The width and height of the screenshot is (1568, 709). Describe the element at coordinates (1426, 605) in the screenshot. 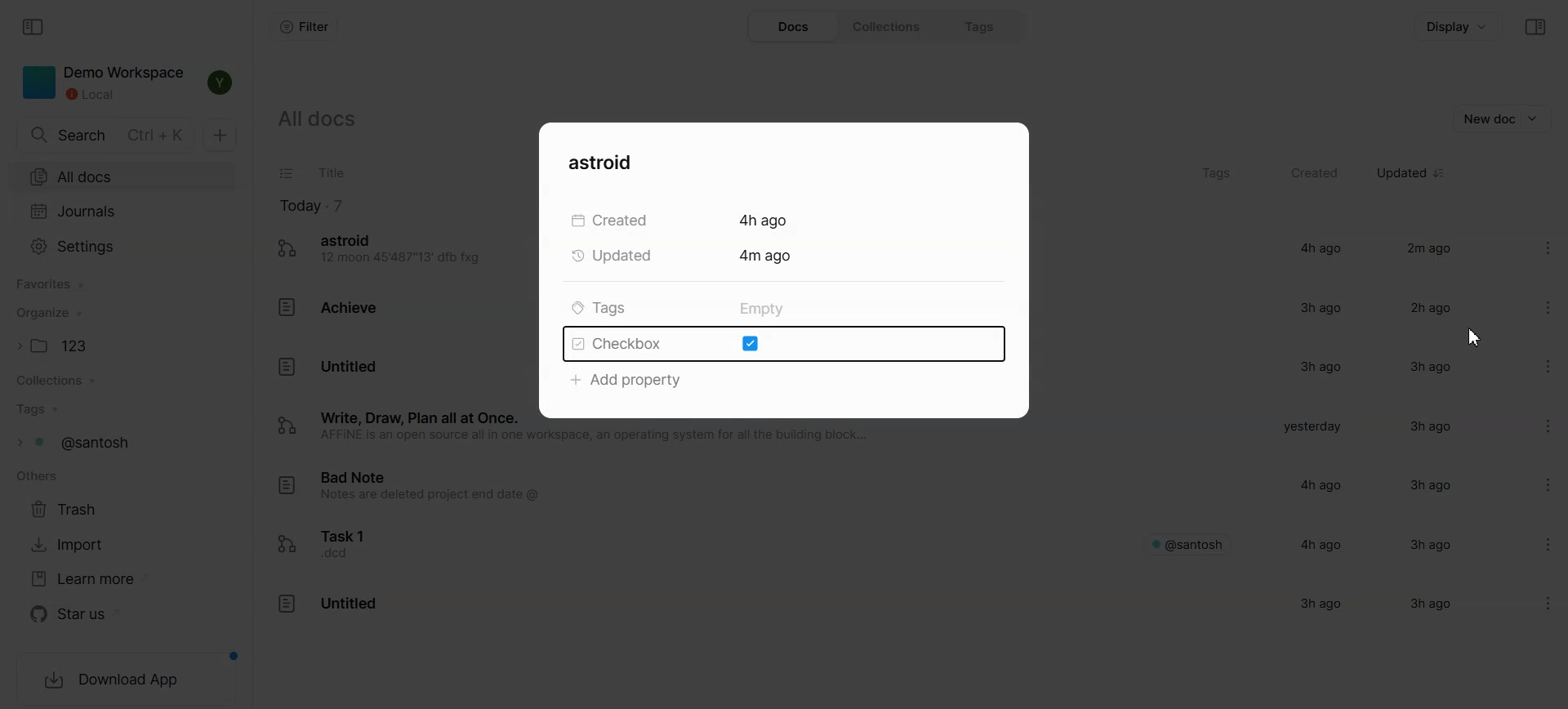

I see `3hago` at that location.